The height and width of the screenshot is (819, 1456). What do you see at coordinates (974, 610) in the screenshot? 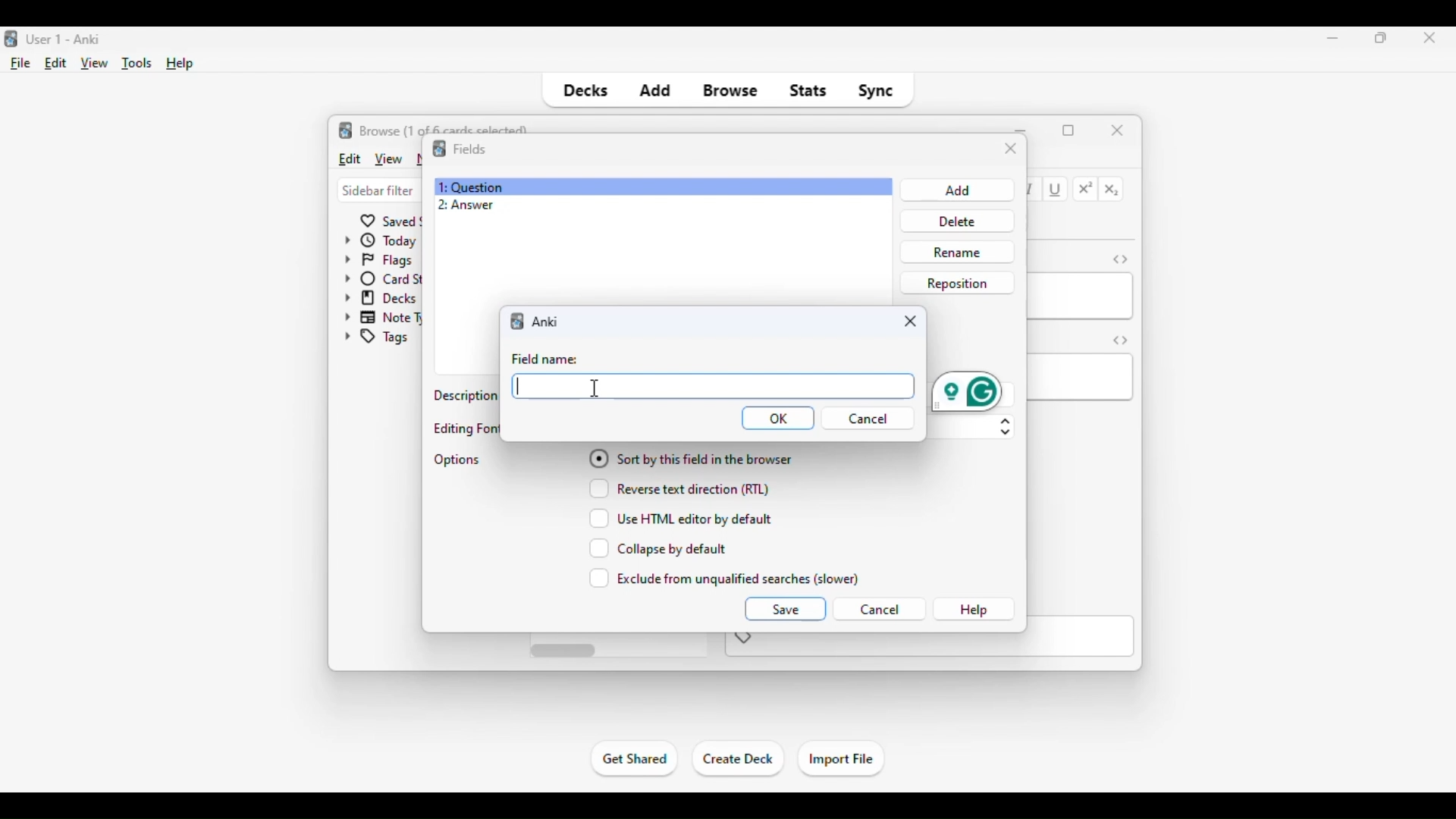
I see `help` at bounding box center [974, 610].